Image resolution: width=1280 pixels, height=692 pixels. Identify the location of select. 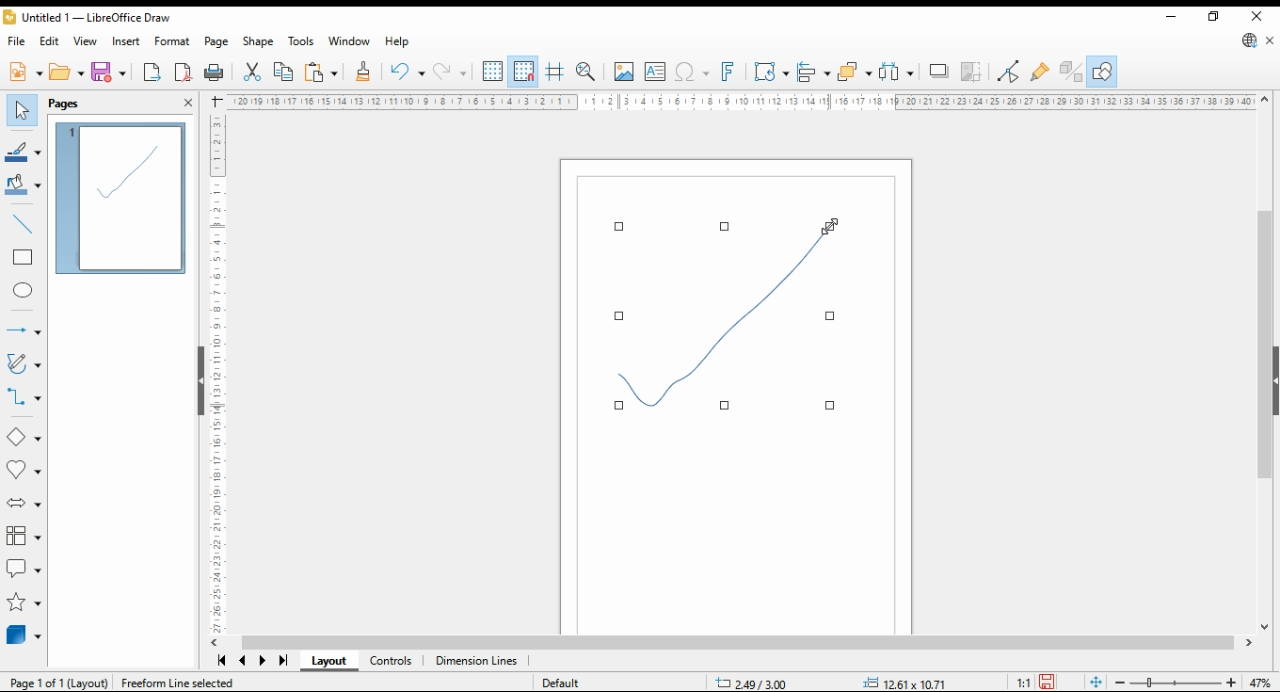
(22, 111).